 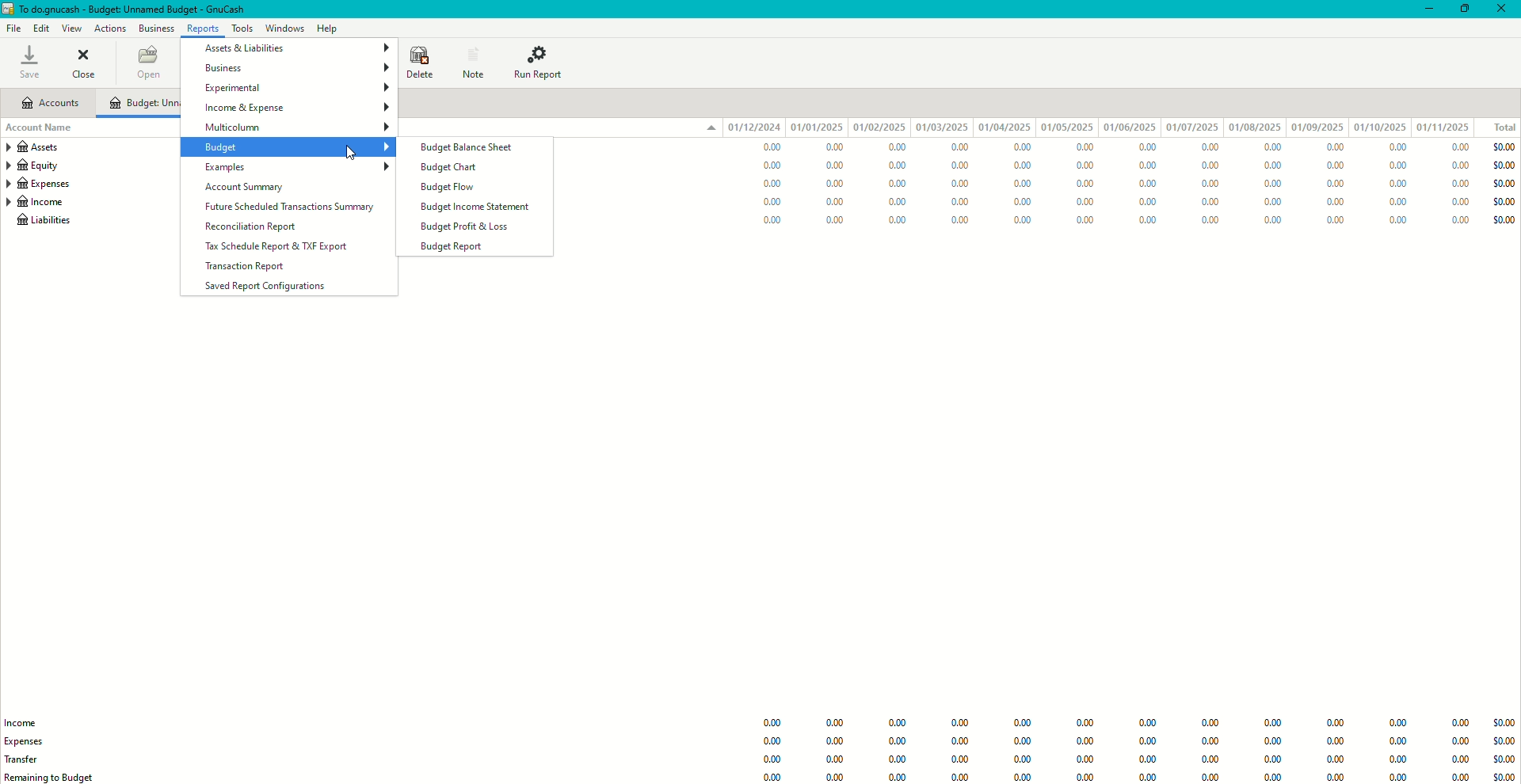 What do you see at coordinates (50, 105) in the screenshot?
I see `Accounts` at bounding box center [50, 105].